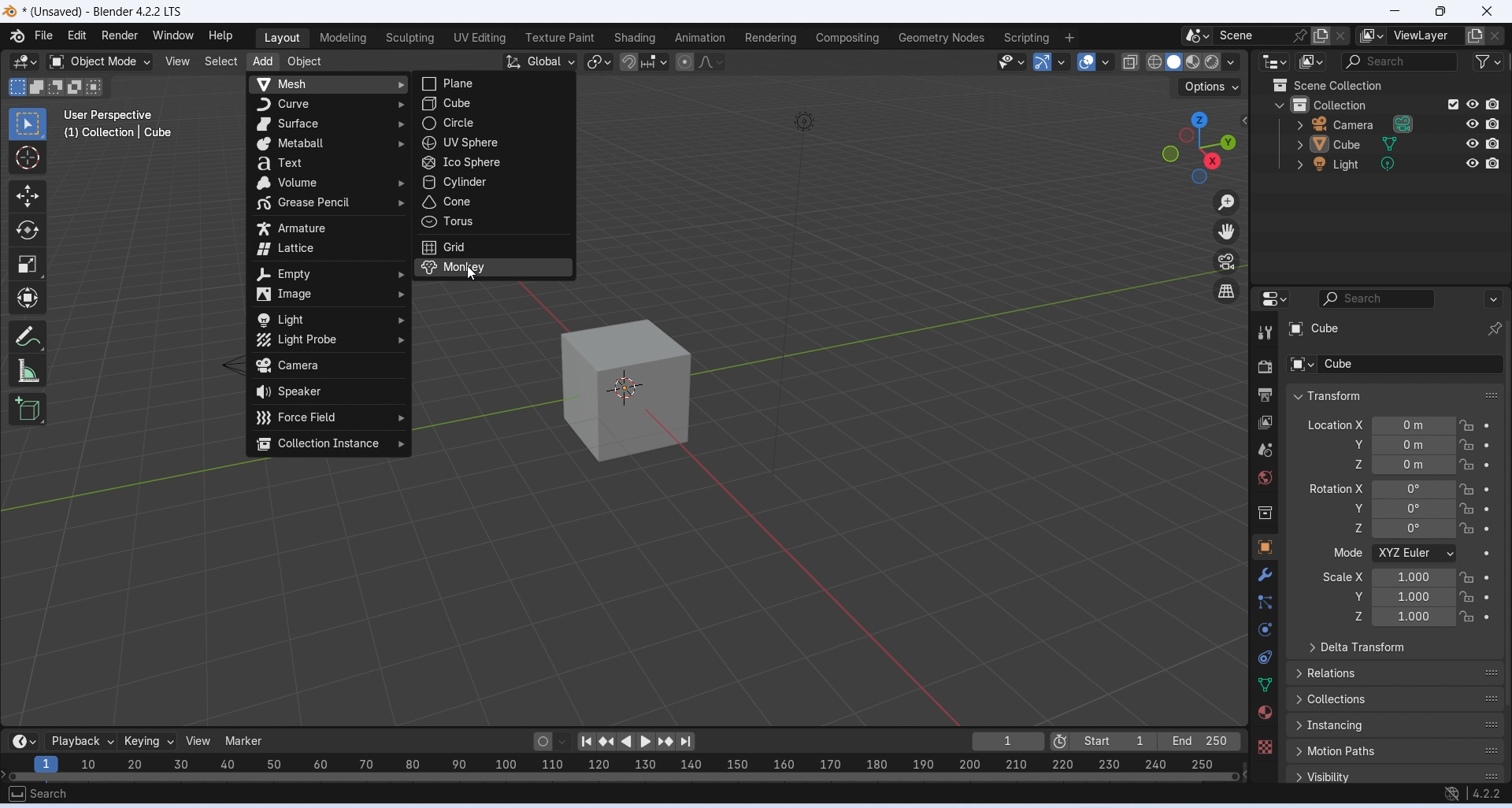  Describe the element at coordinates (27, 196) in the screenshot. I see `Move` at that location.